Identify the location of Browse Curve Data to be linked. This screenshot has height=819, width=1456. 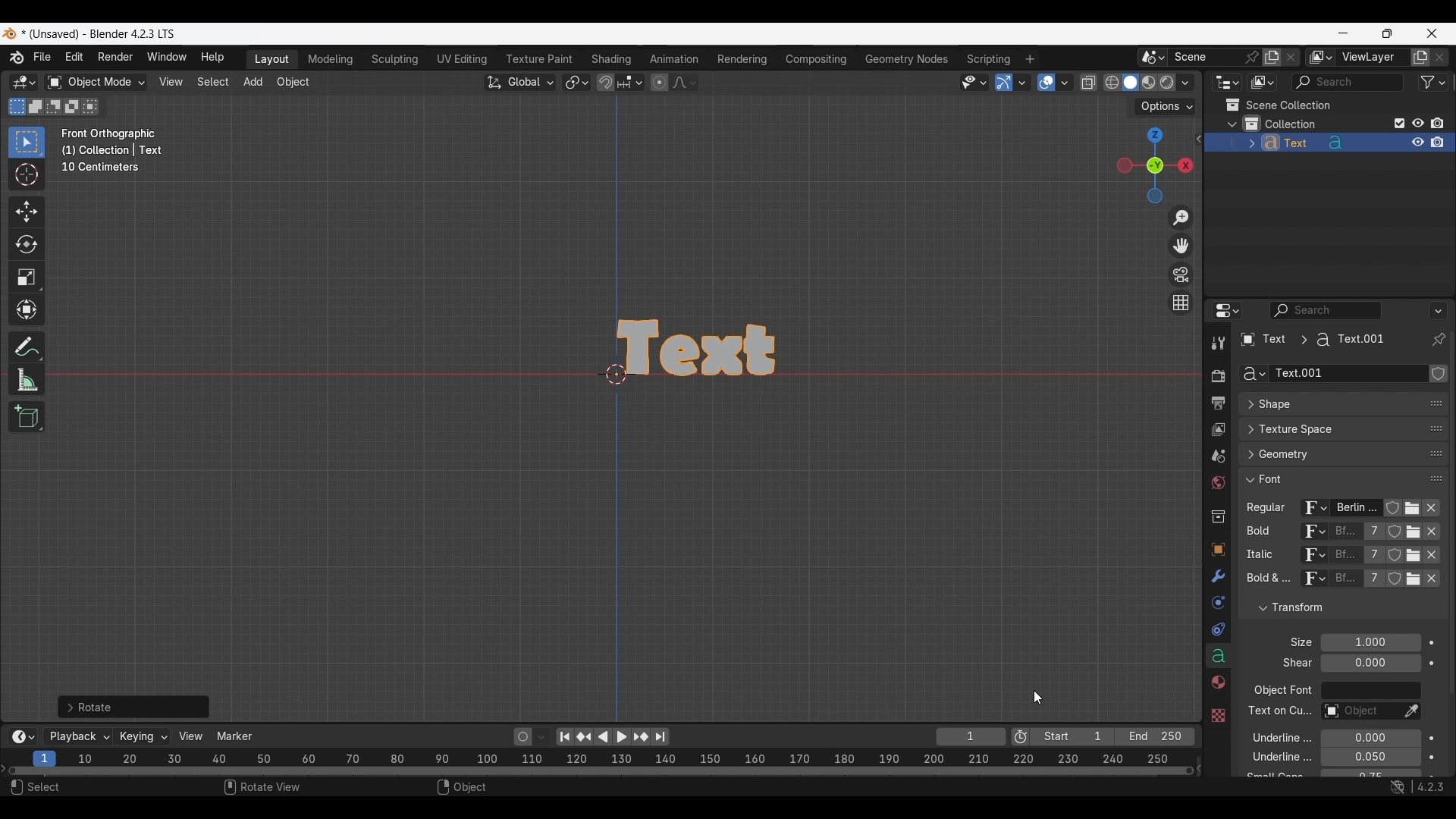
(1254, 374).